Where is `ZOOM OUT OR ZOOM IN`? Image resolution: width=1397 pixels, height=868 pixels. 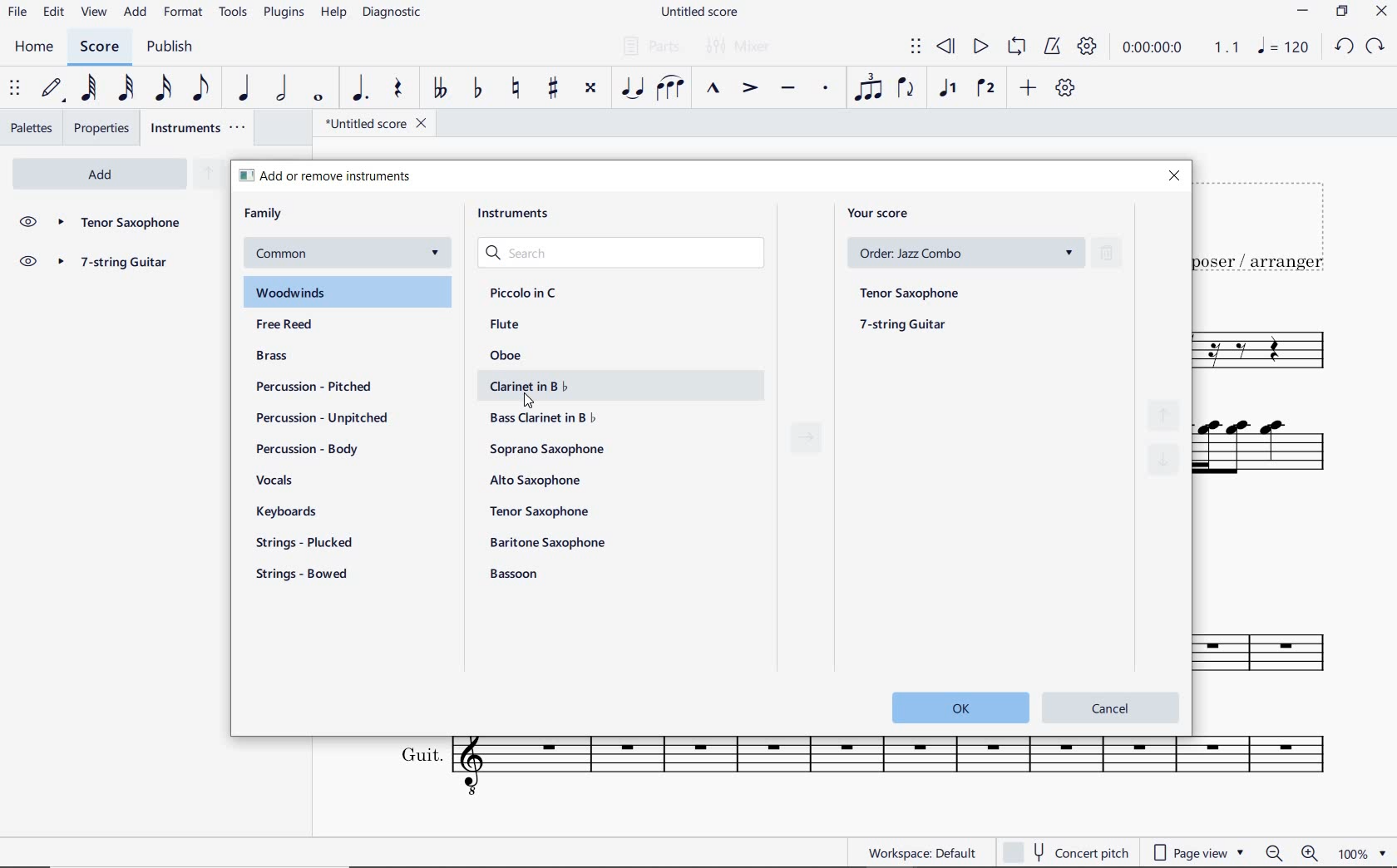
ZOOM OUT OR ZOOM IN is located at coordinates (1293, 853).